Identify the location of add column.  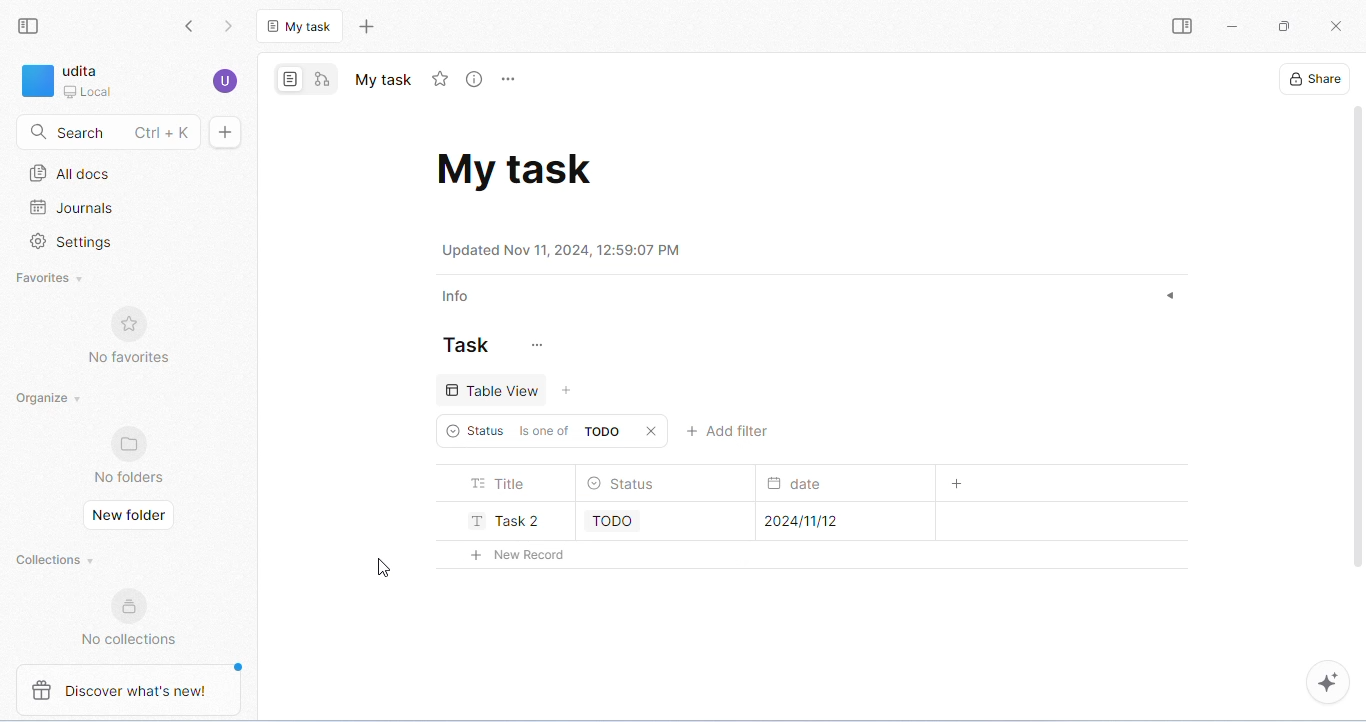
(960, 484).